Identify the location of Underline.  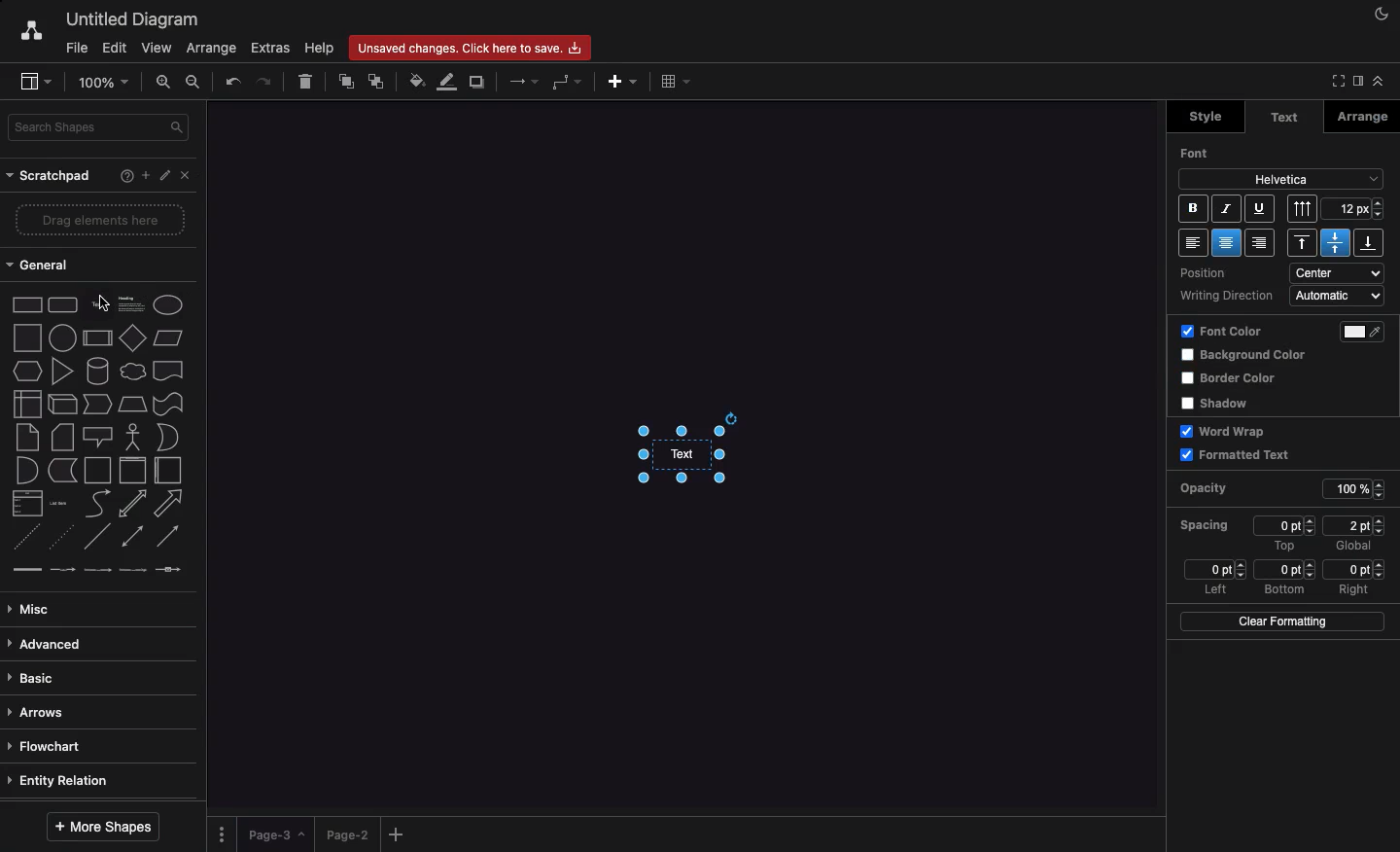
(1258, 208).